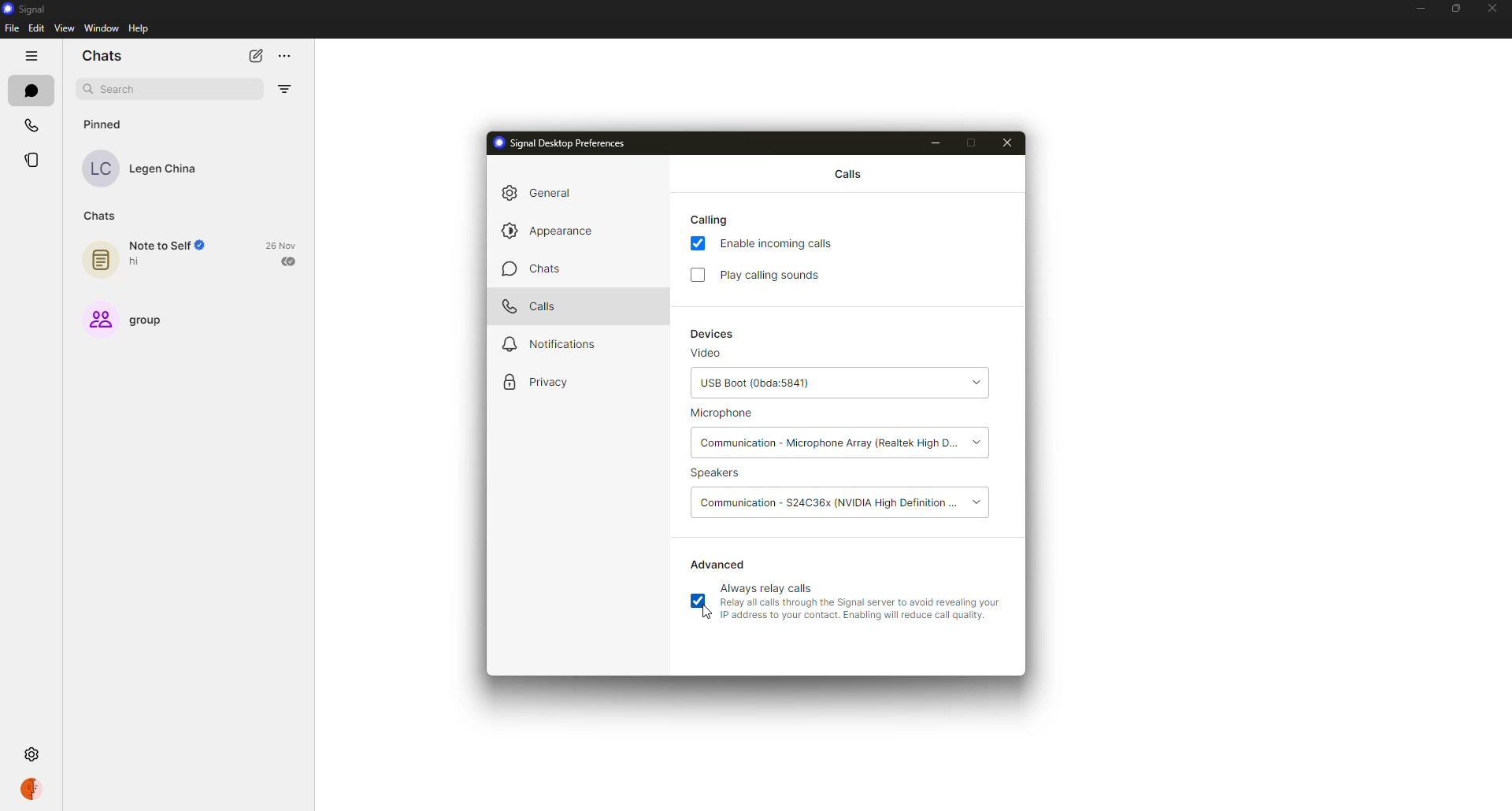 The image size is (1512, 811). What do you see at coordinates (167, 171) in the screenshot?
I see `Legen China` at bounding box center [167, 171].